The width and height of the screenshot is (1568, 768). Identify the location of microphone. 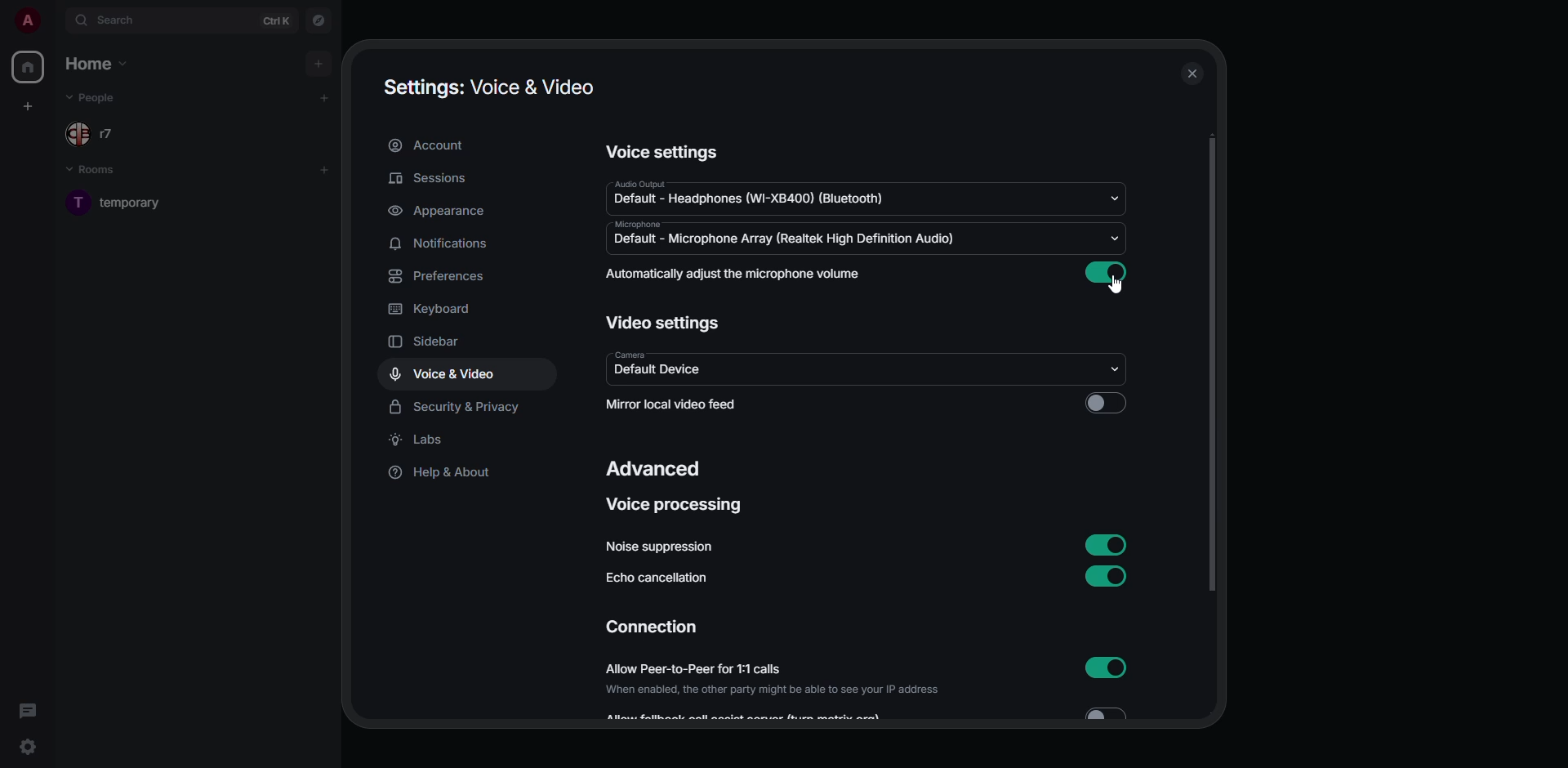
(644, 224).